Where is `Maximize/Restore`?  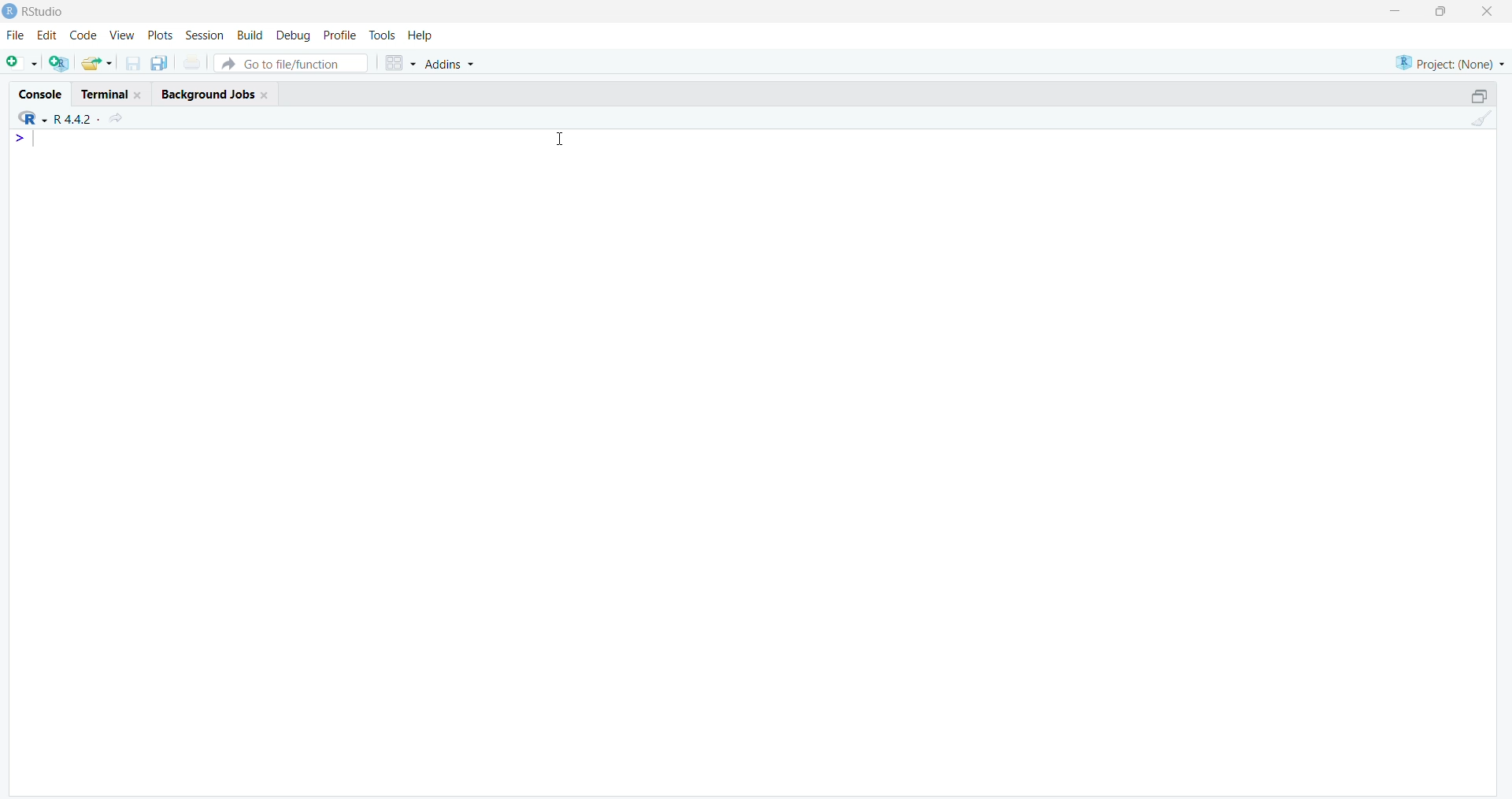 Maximize/Restore is located at coordinates (1479, 95).